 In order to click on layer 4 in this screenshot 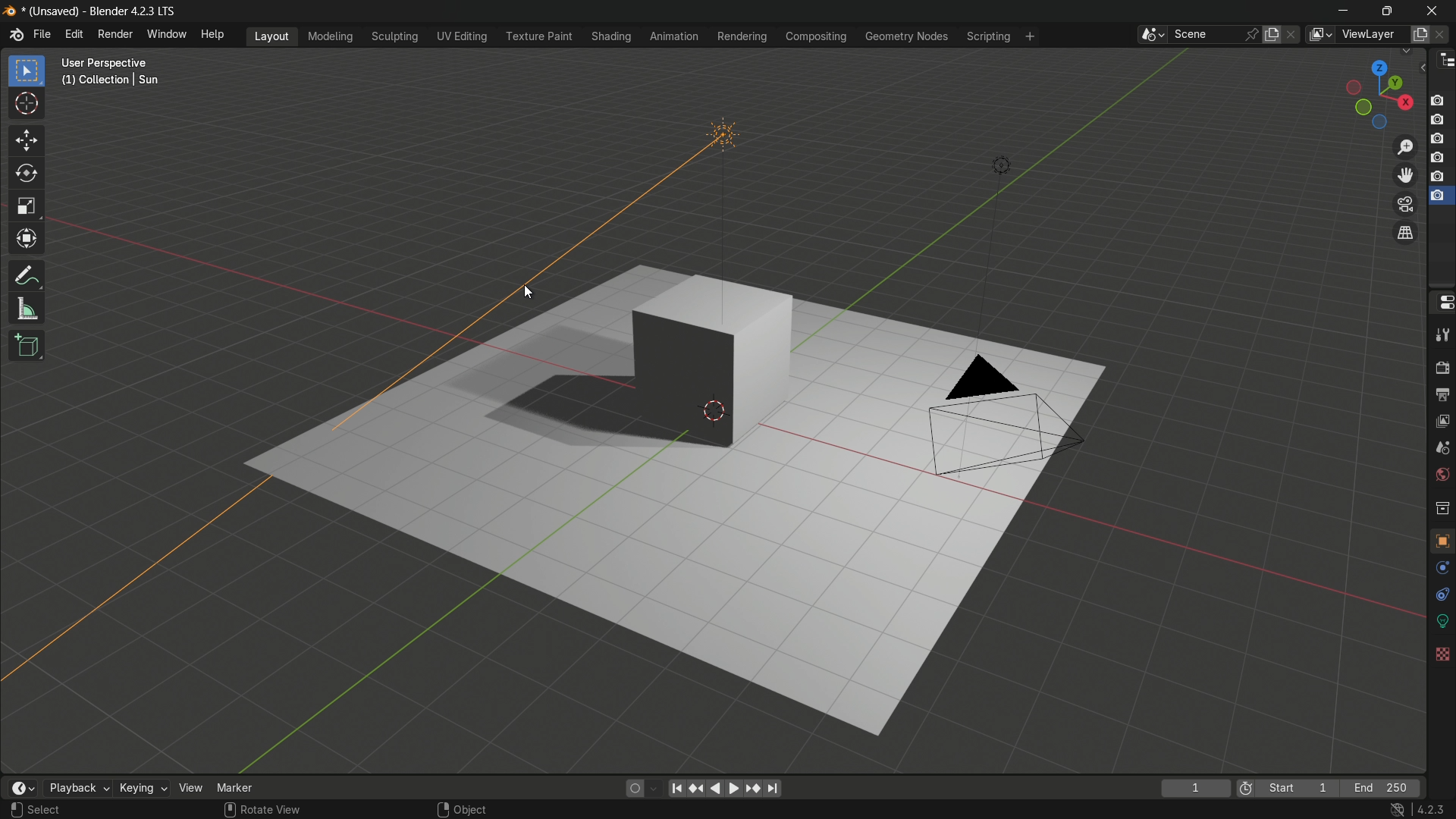, I will do `click(1437, 157)`.